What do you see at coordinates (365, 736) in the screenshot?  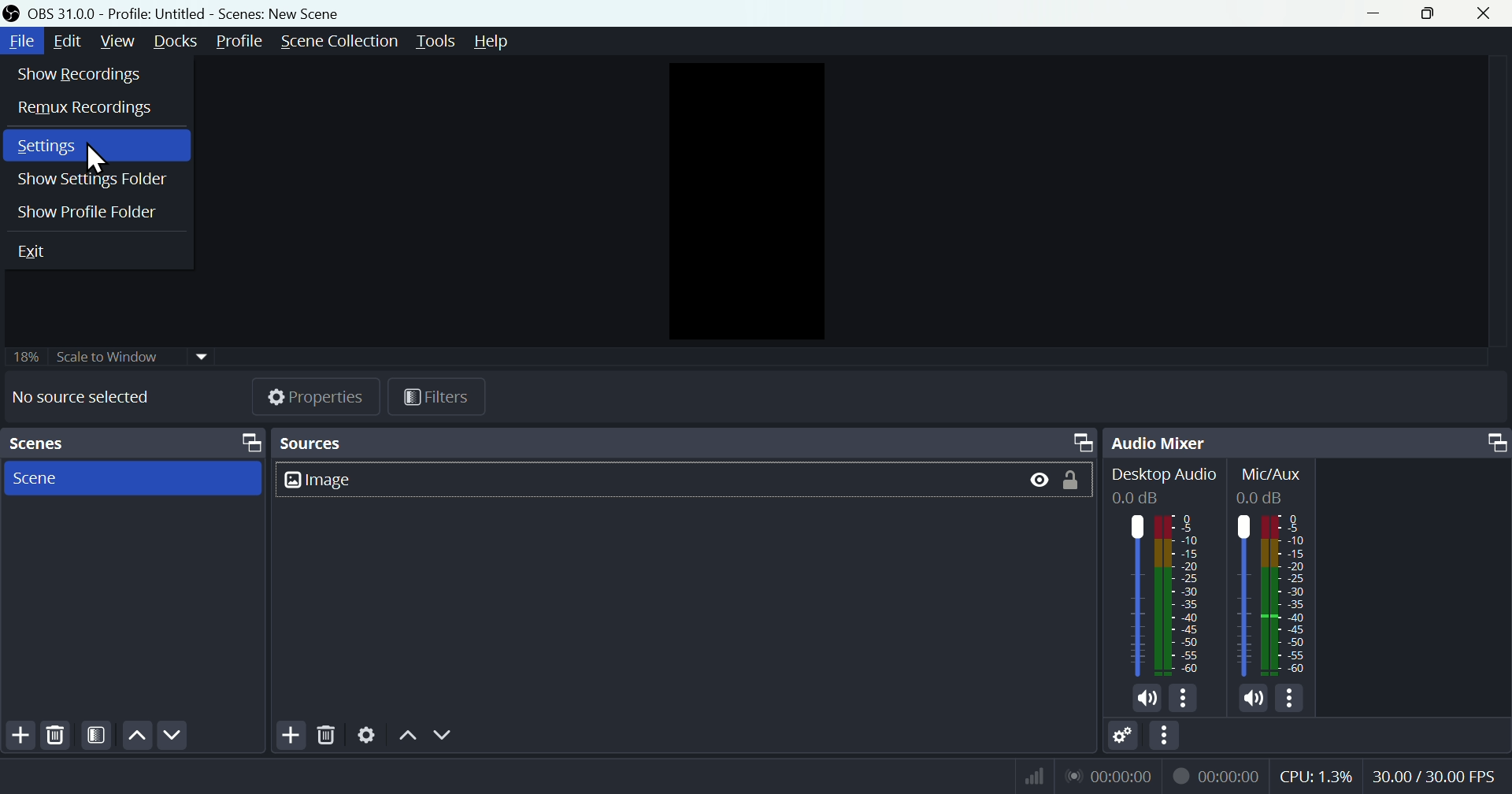 I see `Settings` at bounding box center [365, 736].